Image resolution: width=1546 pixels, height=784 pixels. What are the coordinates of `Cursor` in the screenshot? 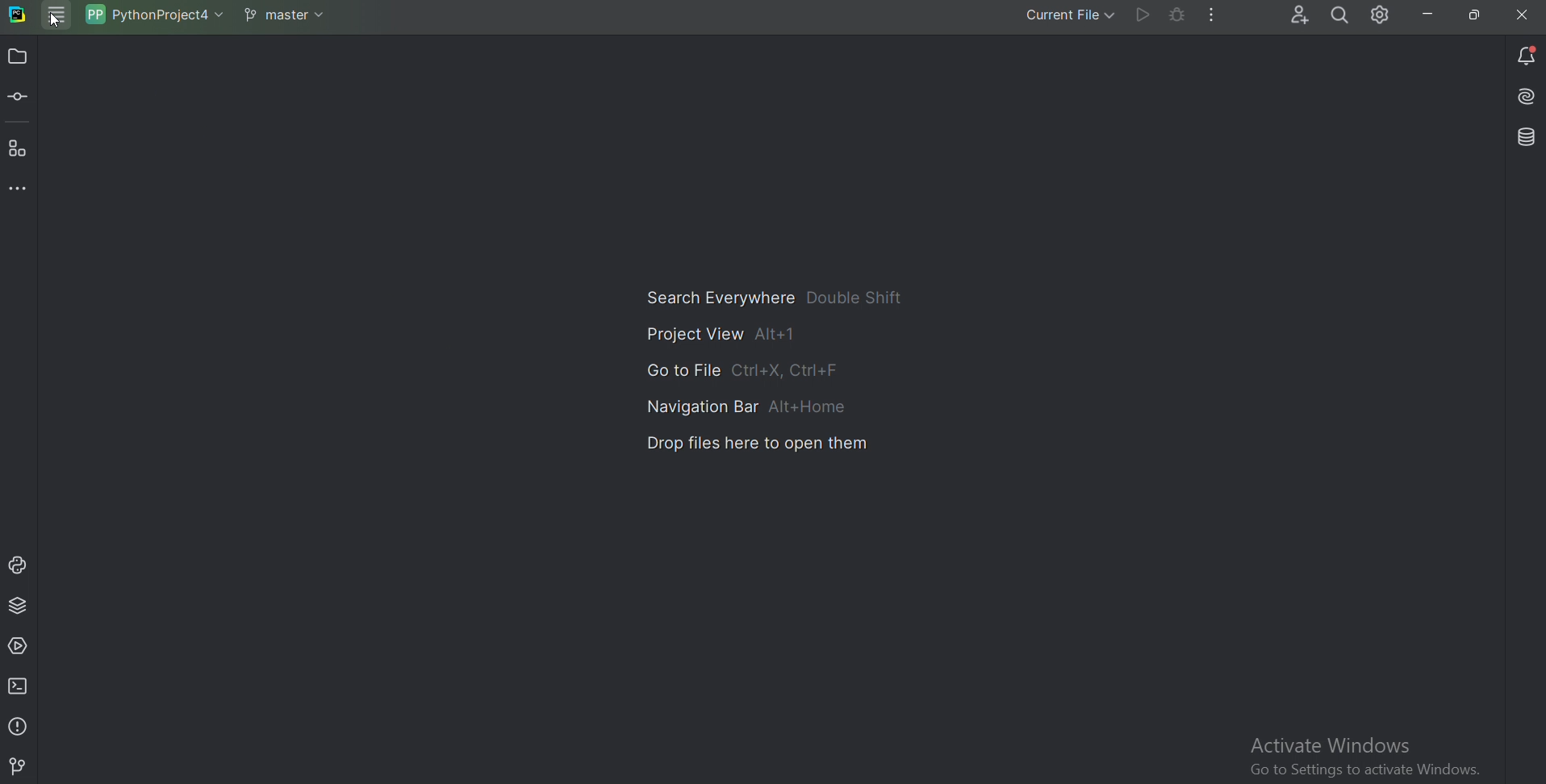 It's located at (55, 21).